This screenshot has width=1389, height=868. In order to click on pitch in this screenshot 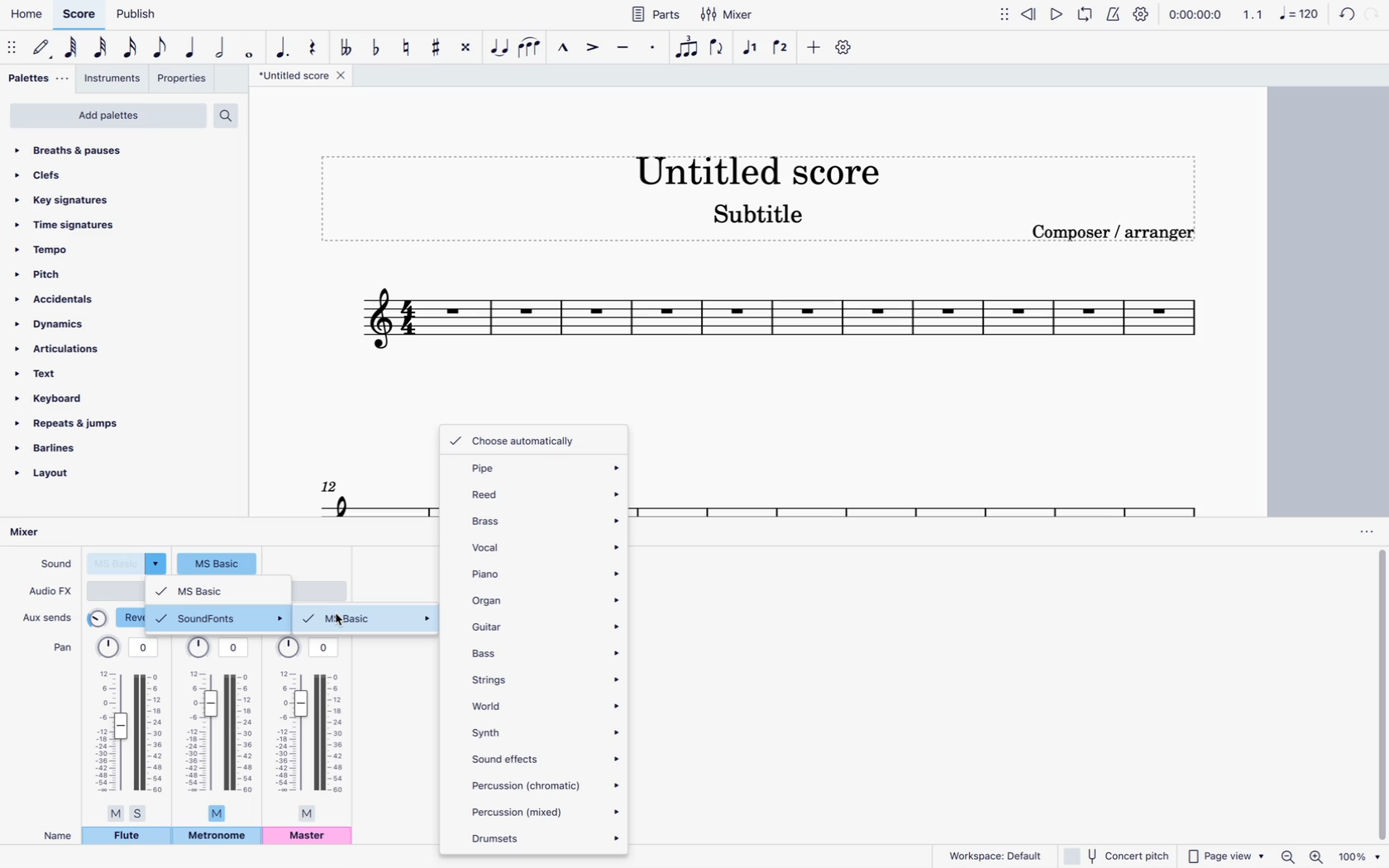, I will do `click(76, 273)`.